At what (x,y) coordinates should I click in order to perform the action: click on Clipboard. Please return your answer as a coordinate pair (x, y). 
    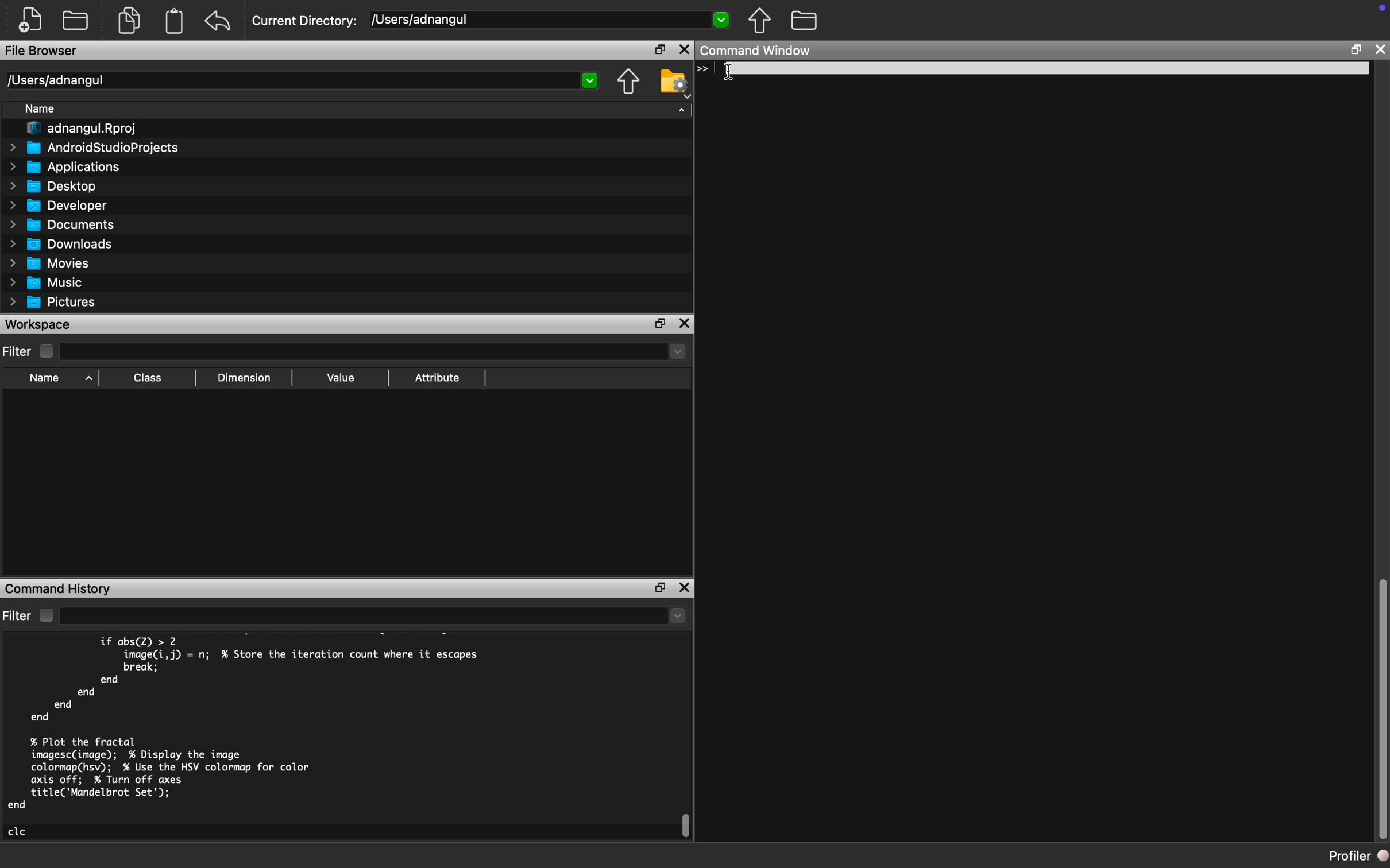
    Looking at the image, I should click on (175, 24).